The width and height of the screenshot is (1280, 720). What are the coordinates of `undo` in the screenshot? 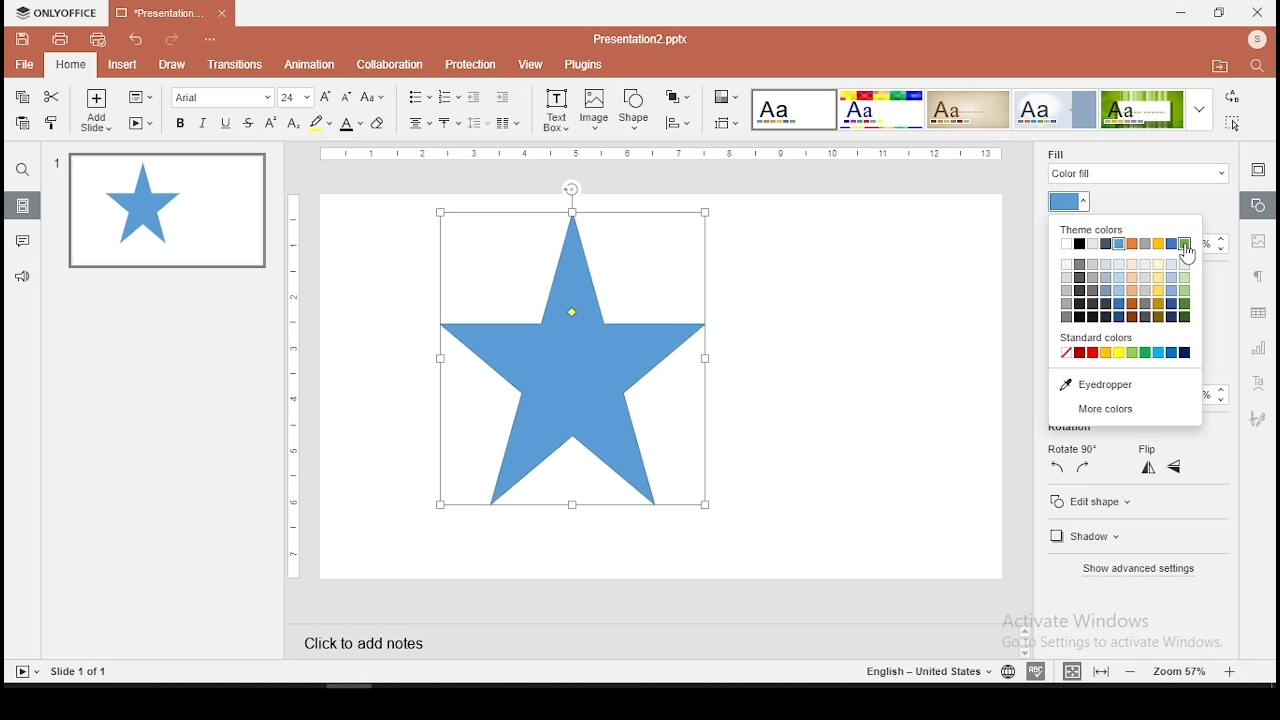 It's located at (138, 39).